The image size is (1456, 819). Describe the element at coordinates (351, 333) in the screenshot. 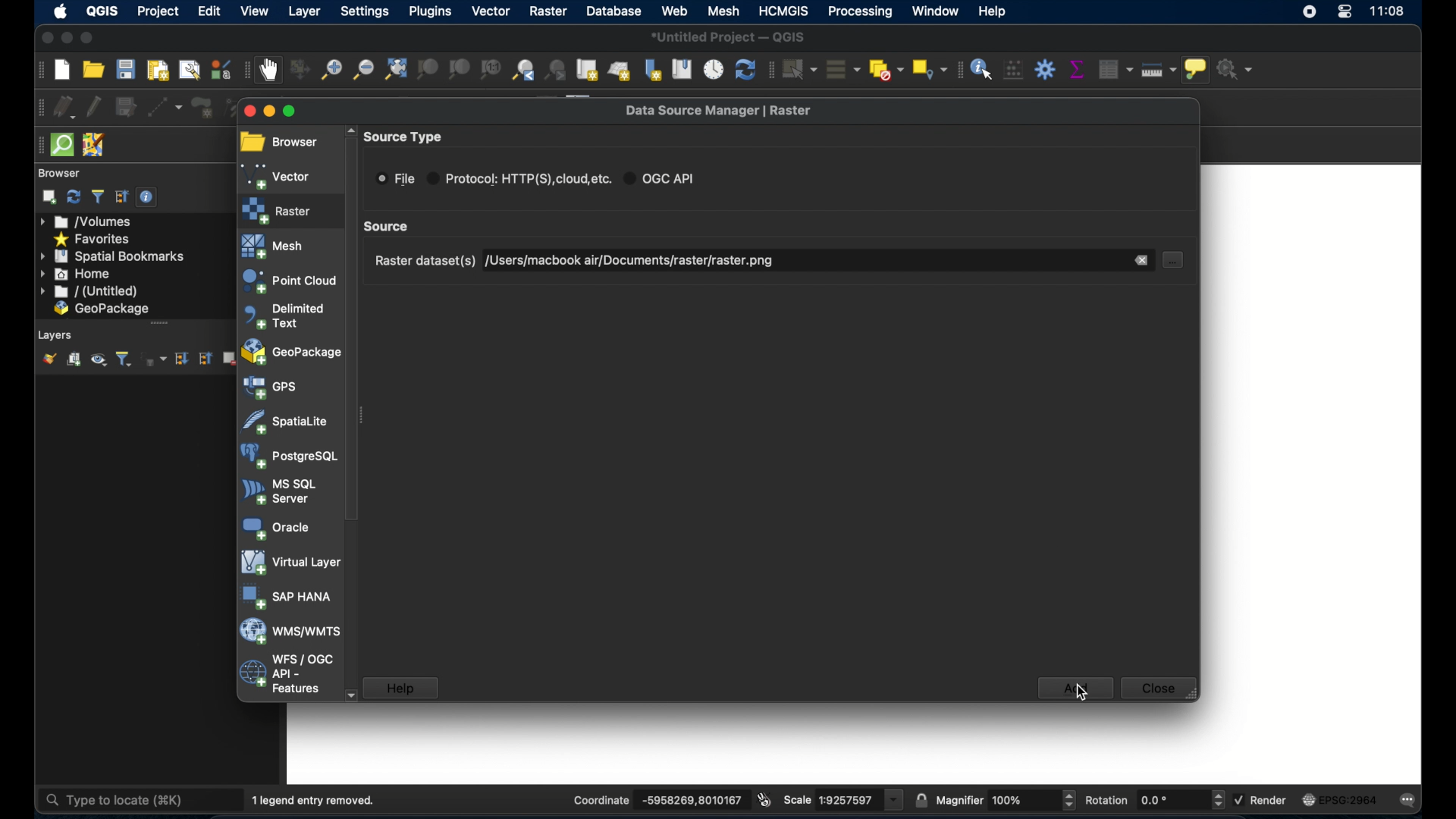

I see `` at that location.